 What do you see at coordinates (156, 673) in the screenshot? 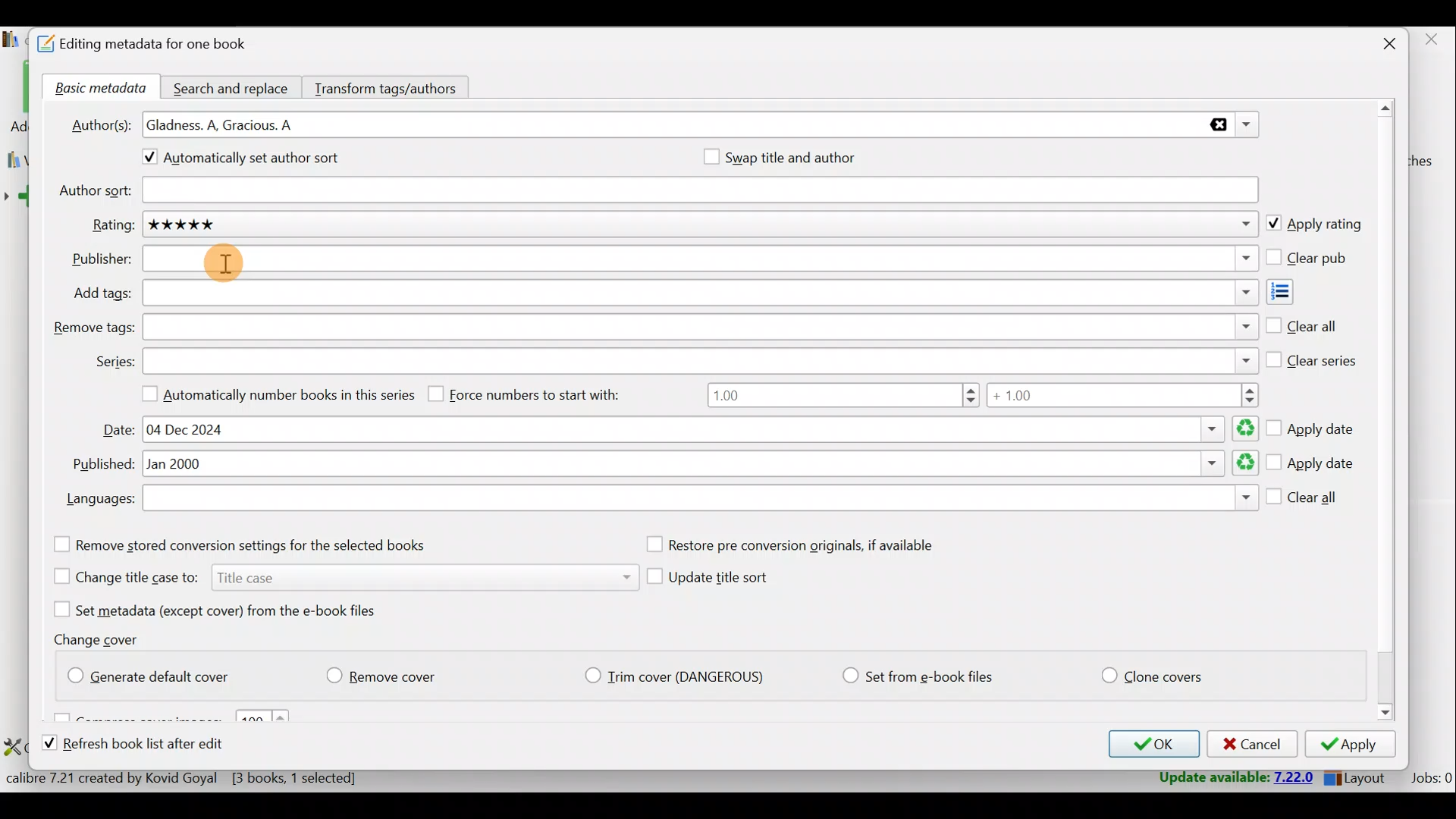
I see `Generate default cover` at bounding box center [156, 673].